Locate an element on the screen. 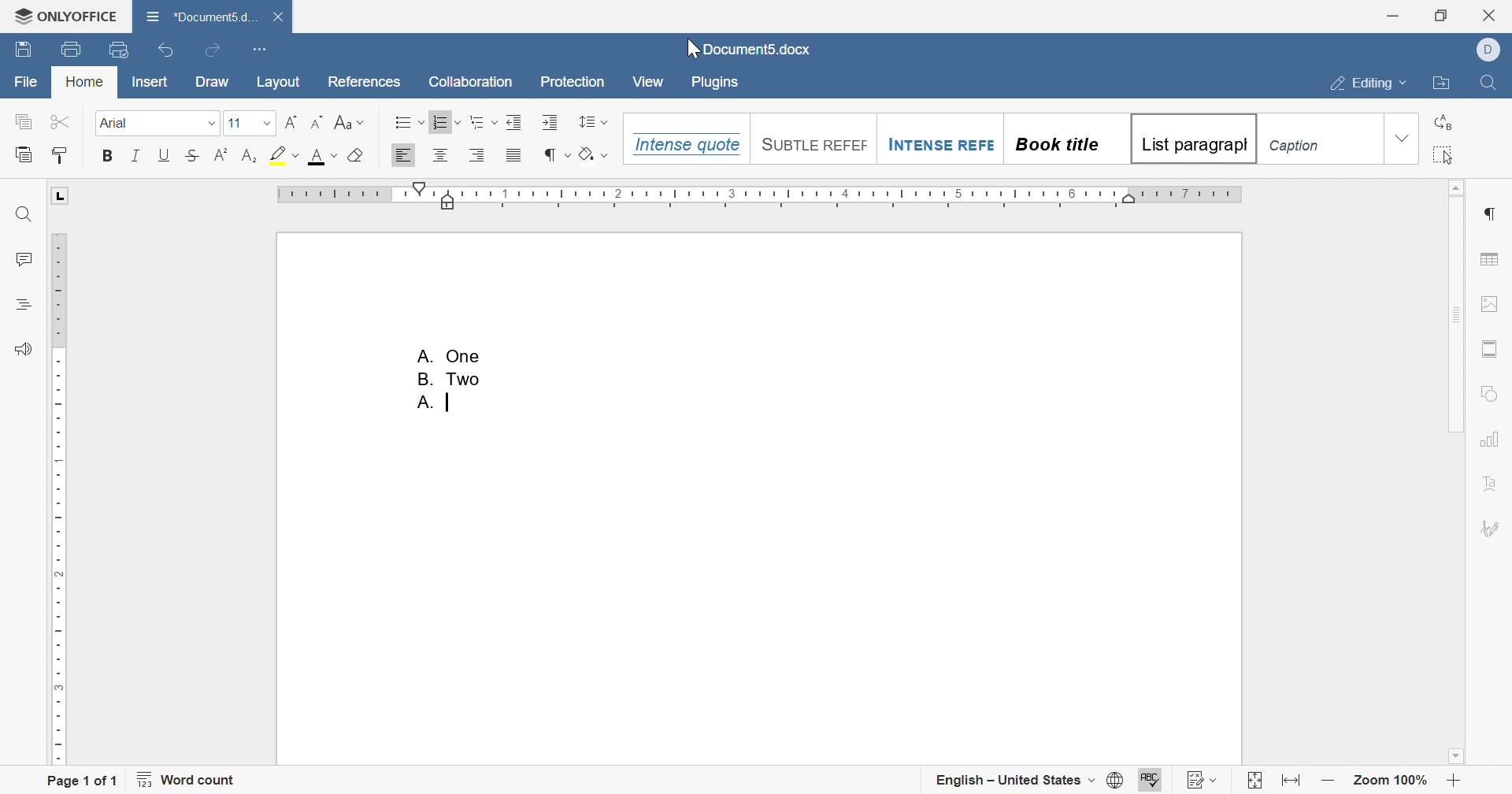 Image resolution: width=1512 pixels, height=794 pixels. Decrement font size is located at coordinates (317, 122).